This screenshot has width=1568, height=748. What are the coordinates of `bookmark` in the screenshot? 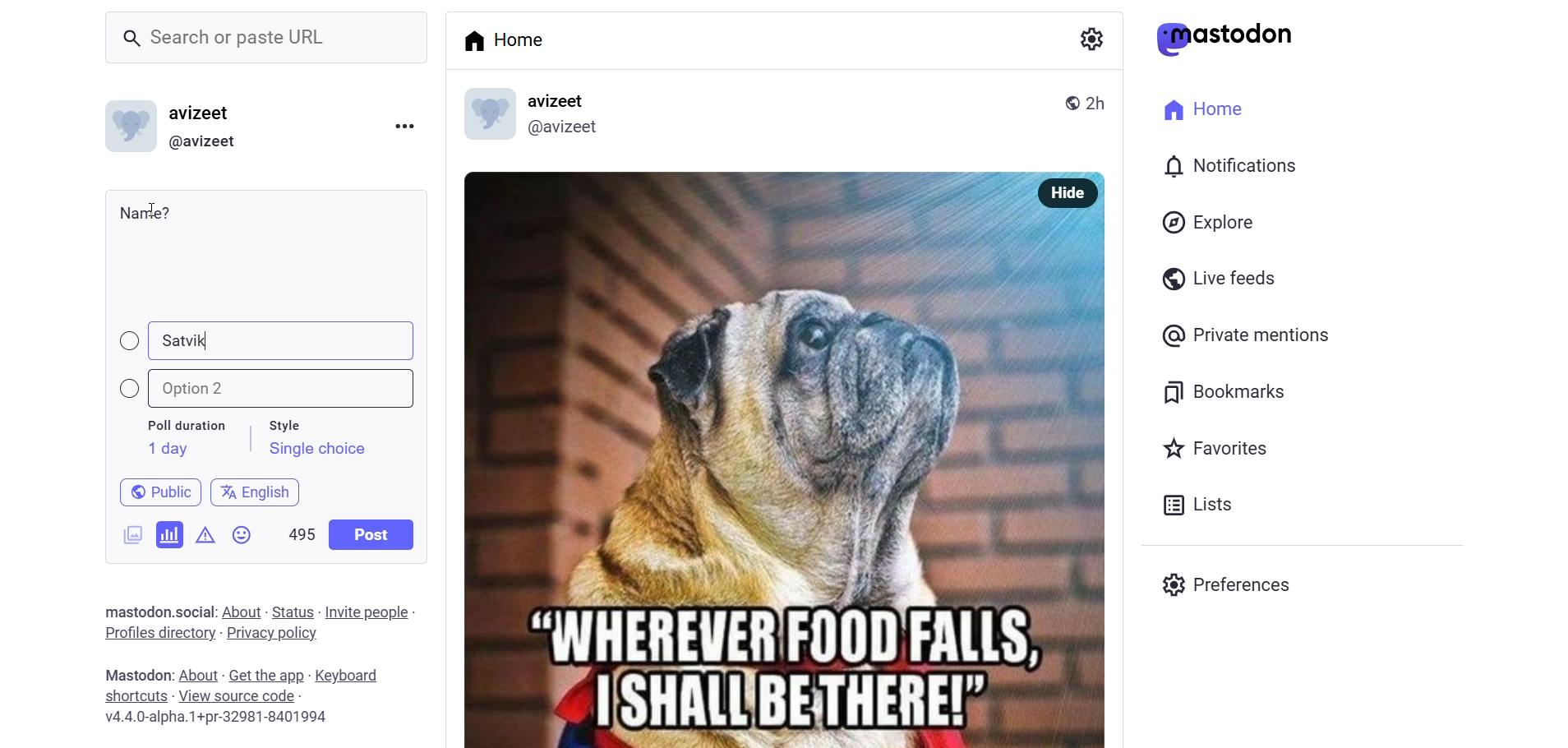 It's located at (1227, 390).